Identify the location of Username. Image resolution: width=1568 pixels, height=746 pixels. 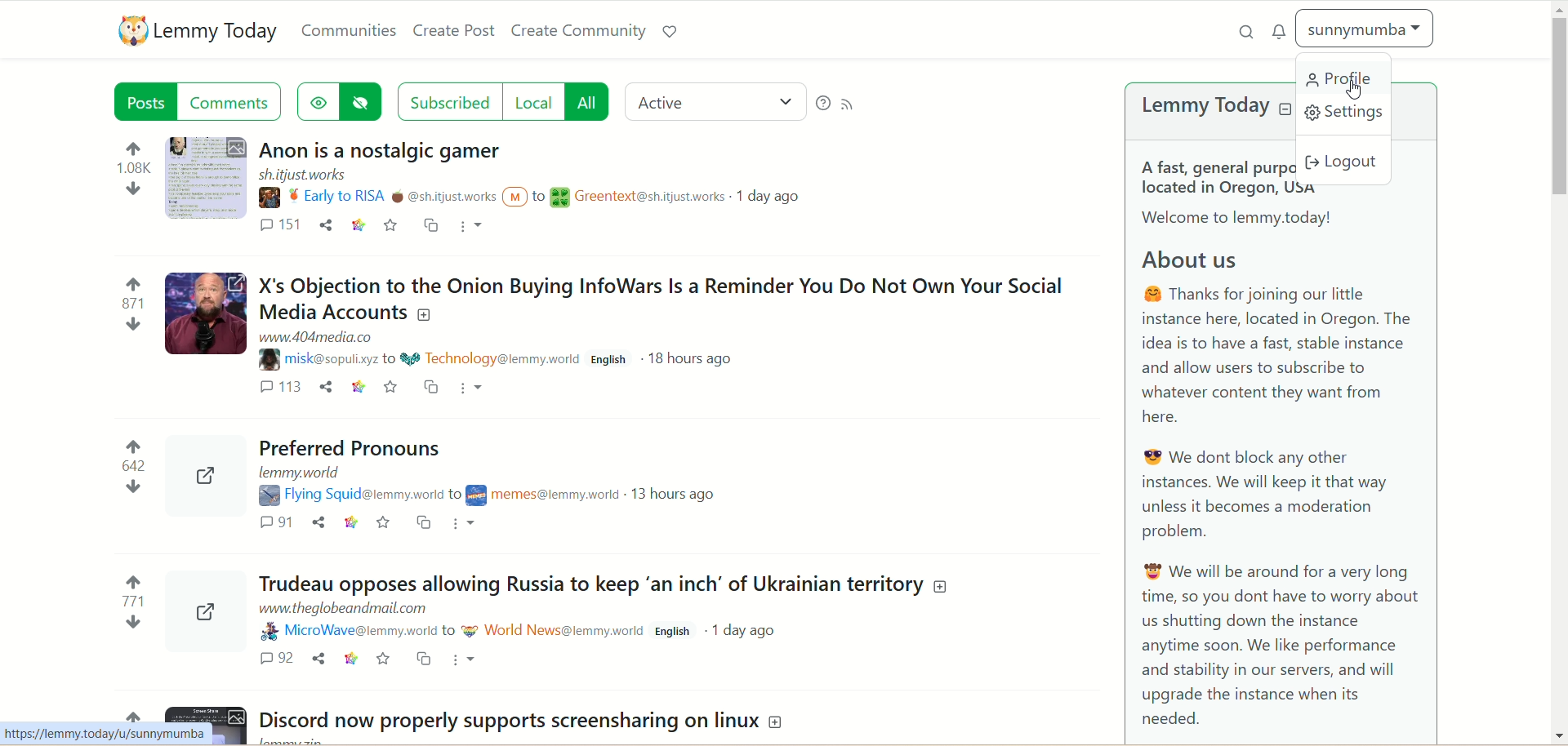
(320, 360).